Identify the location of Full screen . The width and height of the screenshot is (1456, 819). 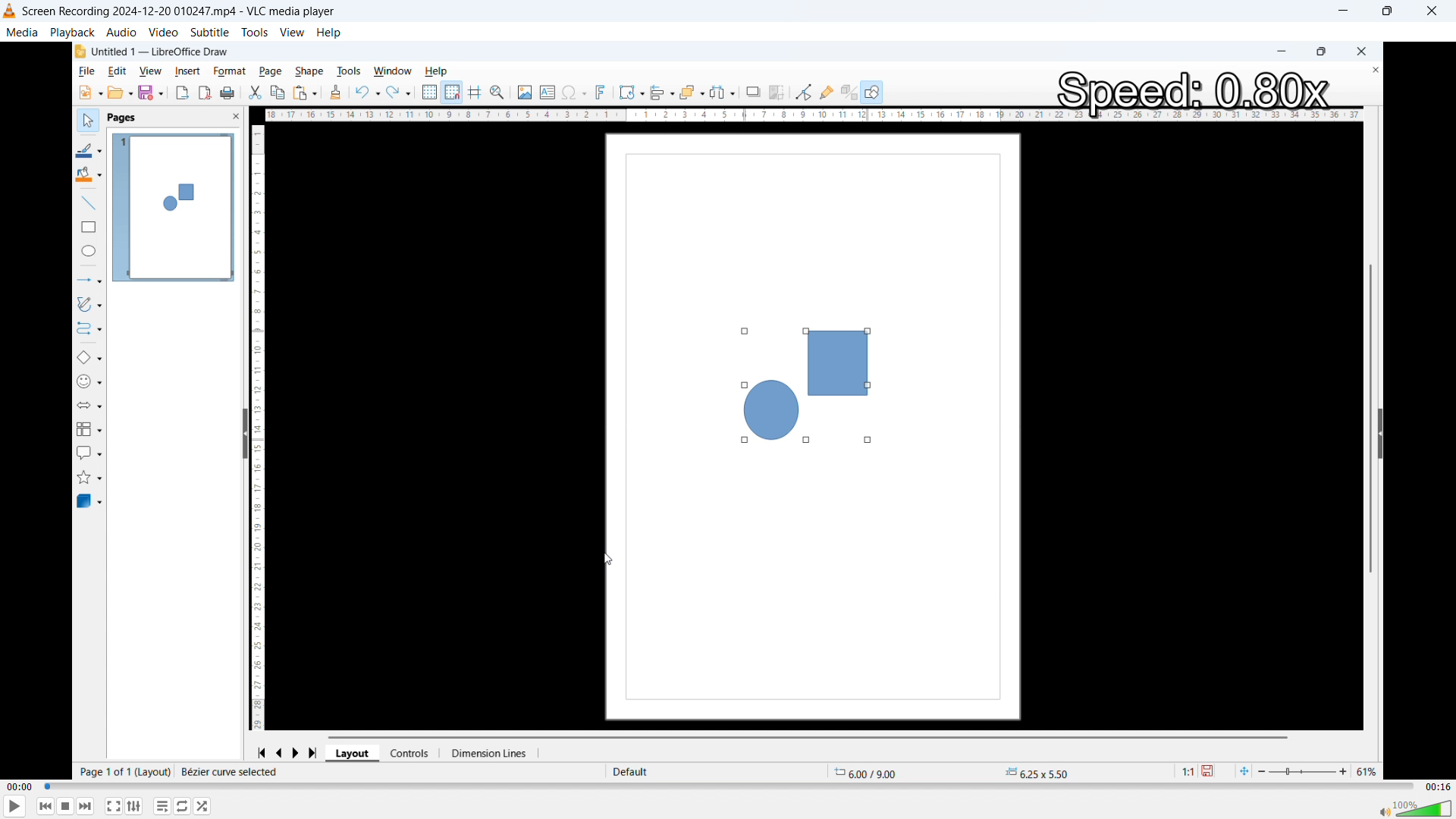
(114, 805).